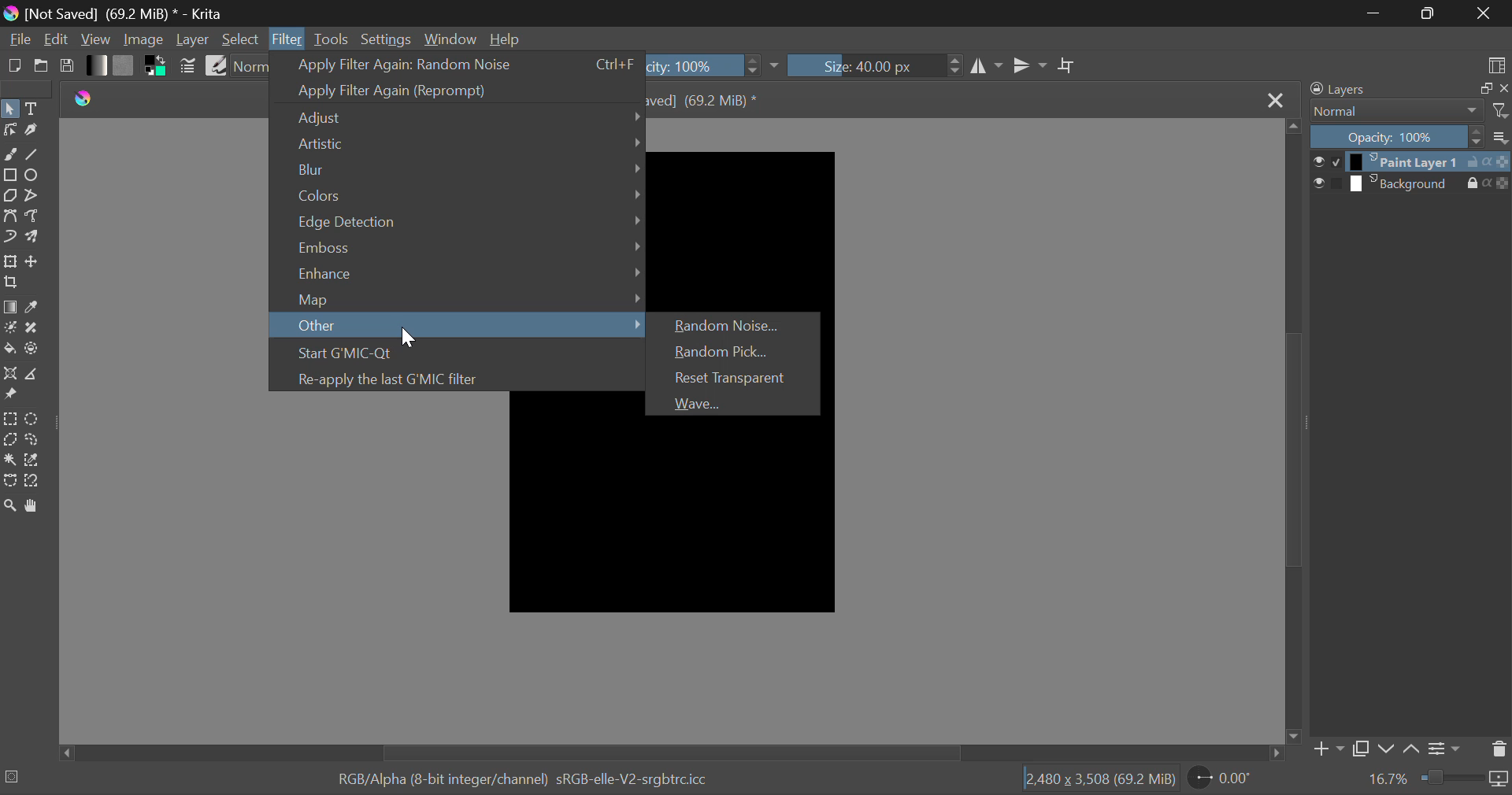 The height and width of the screenshot is (795, 1512). What do you see at coordinates (450, 38) in the screenshot?
I see `Window` at bounding box center [450, 38].